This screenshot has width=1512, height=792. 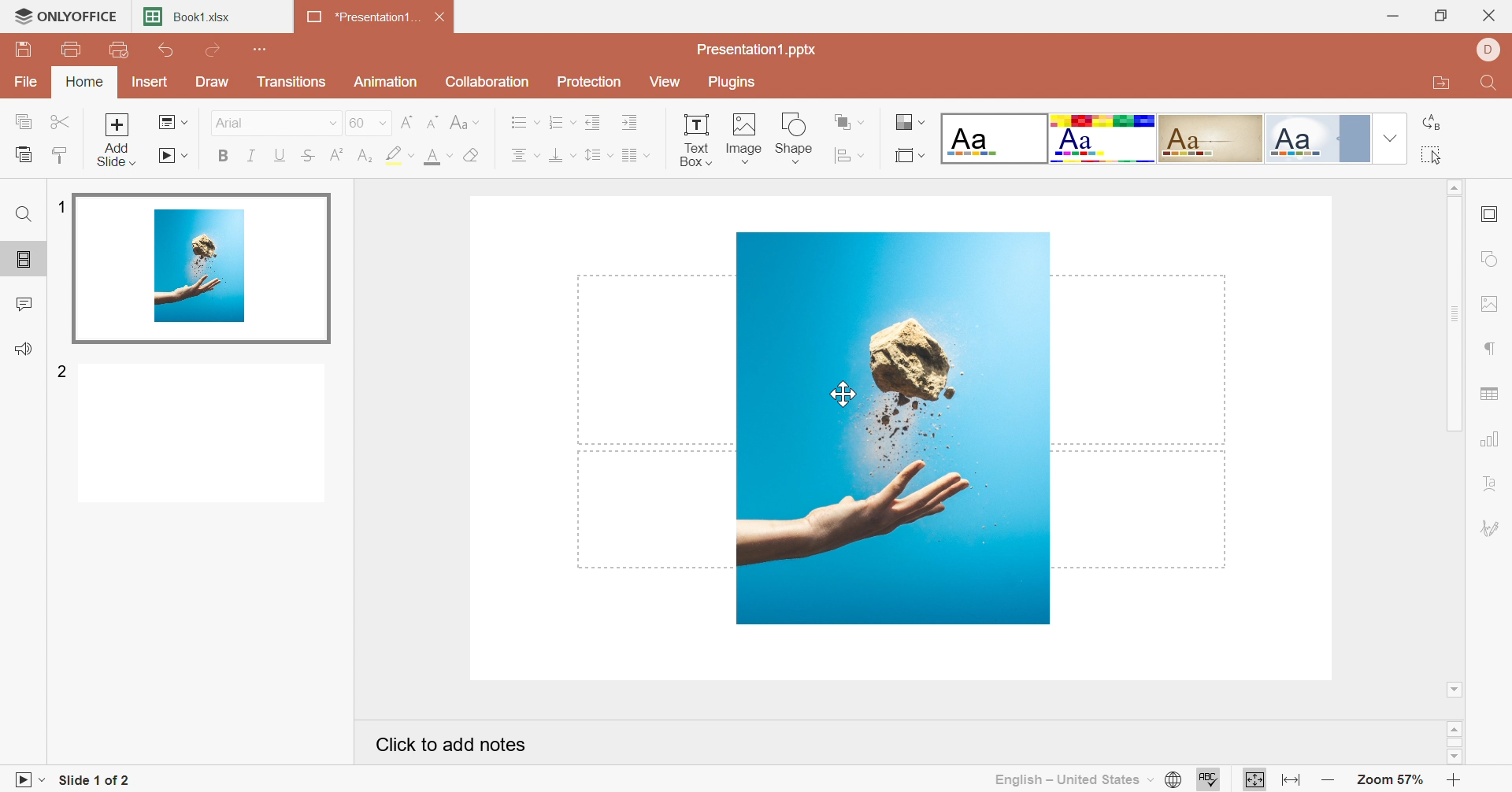 What do you see at coordinates (1492, 14) in the screenshot?
I see `Close` at bounding box center [1492, 14].